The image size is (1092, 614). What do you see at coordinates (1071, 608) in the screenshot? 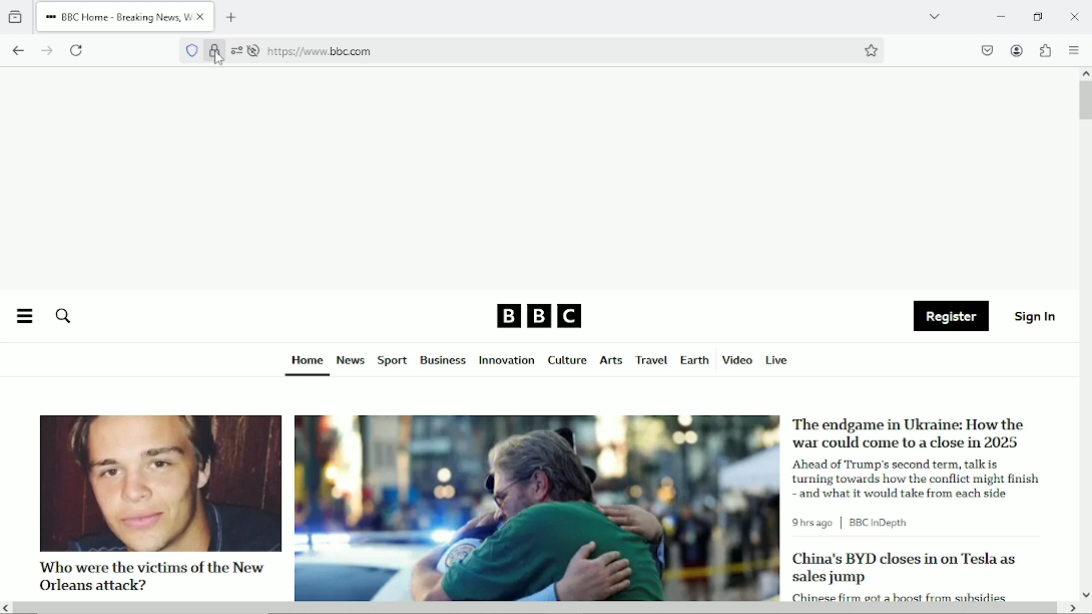
I see `scroll right` at bounding box center [1071, 608].